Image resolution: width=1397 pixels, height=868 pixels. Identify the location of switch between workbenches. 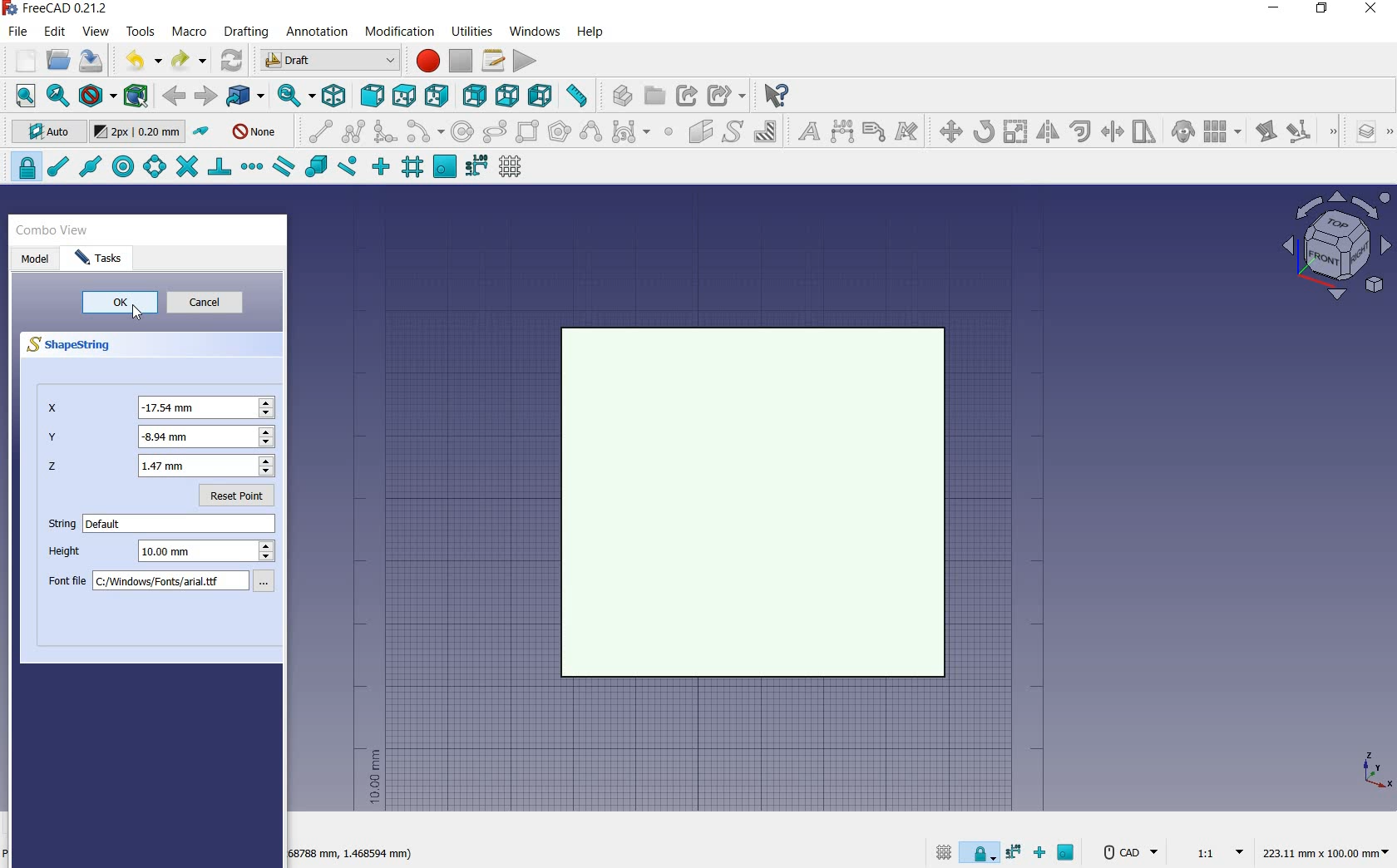
(330, 61).